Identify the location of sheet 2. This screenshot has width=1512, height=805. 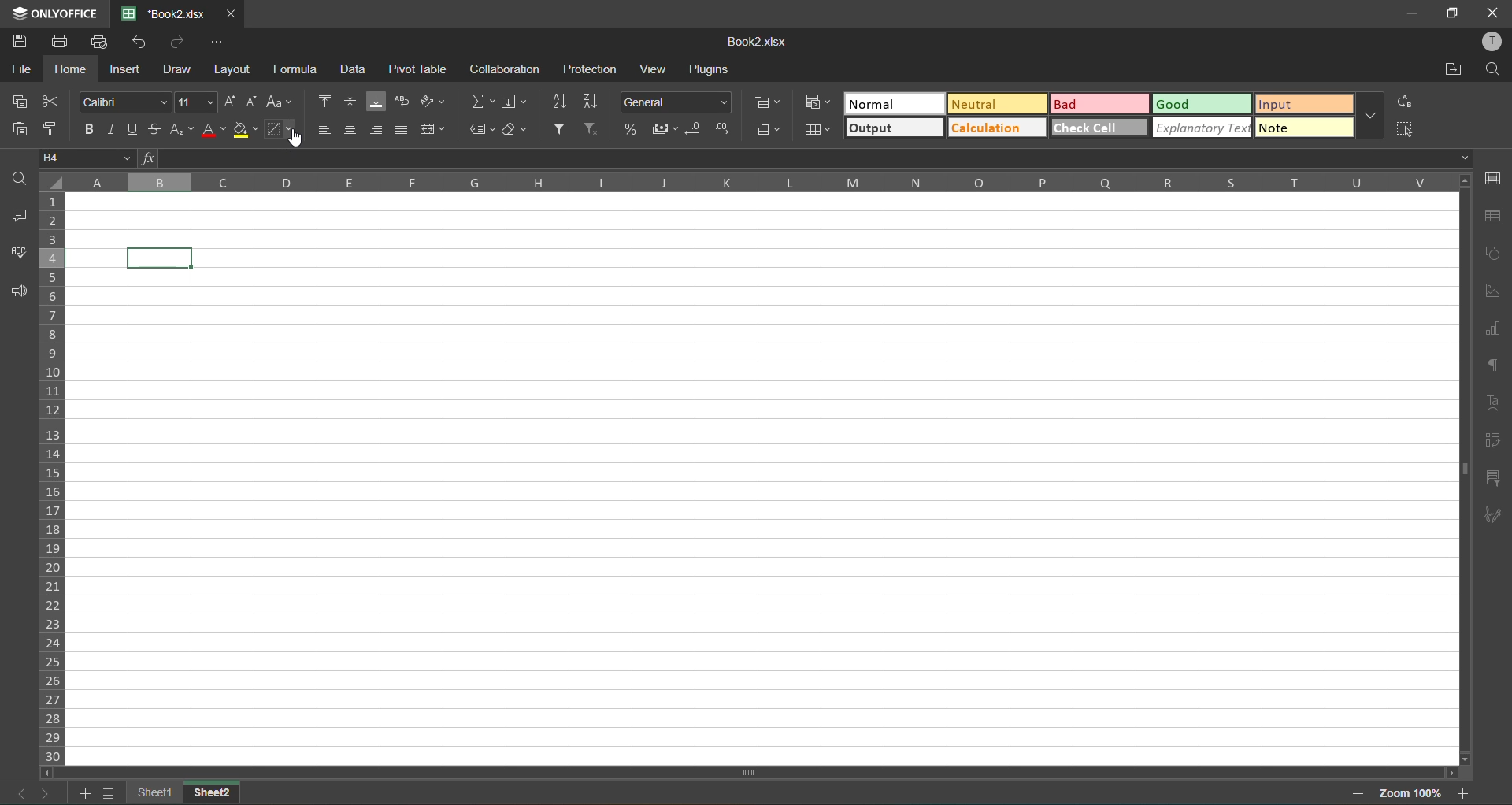
(213, 792).